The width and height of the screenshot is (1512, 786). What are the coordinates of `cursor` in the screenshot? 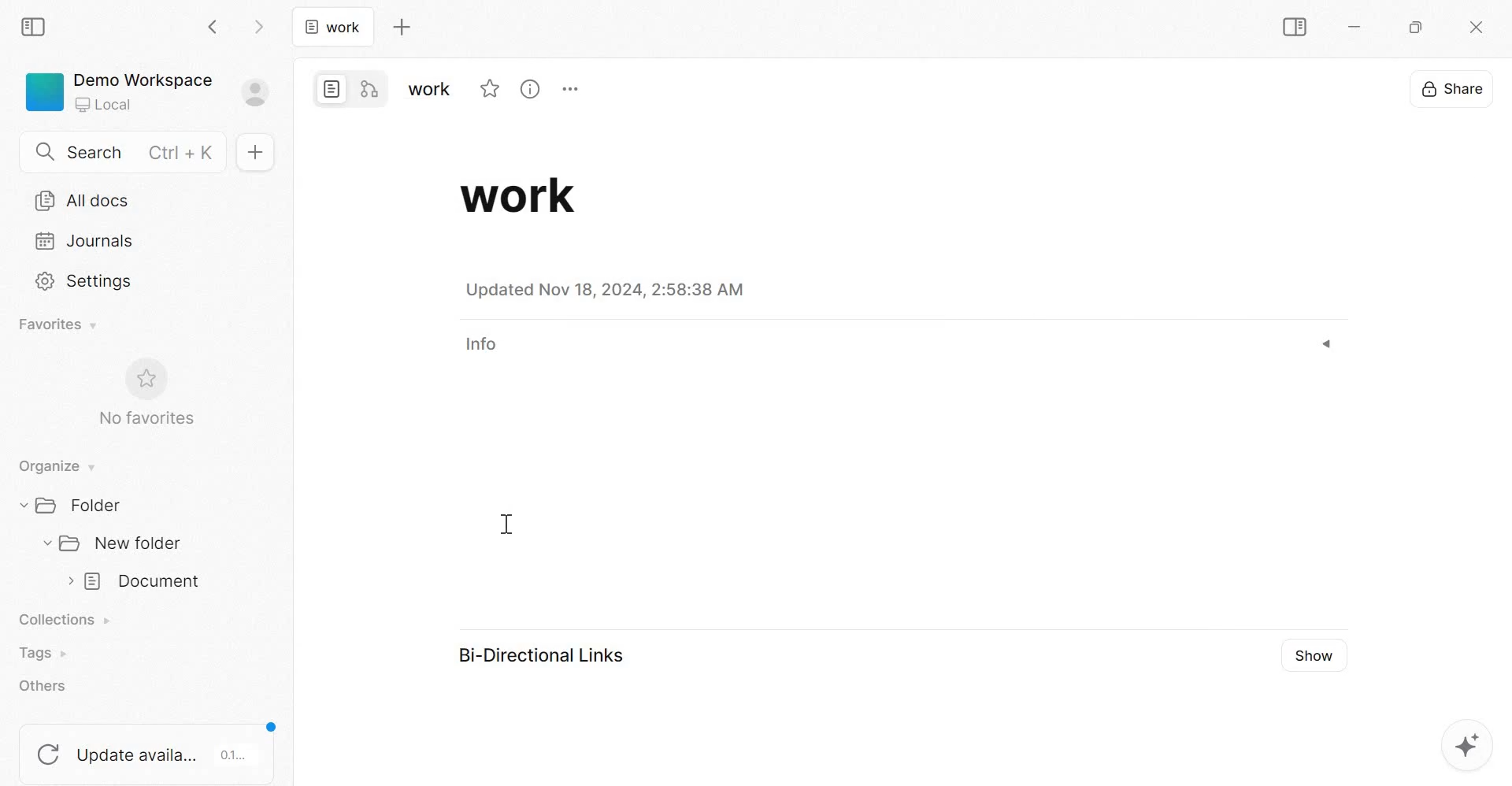 It's located at (506, 526).